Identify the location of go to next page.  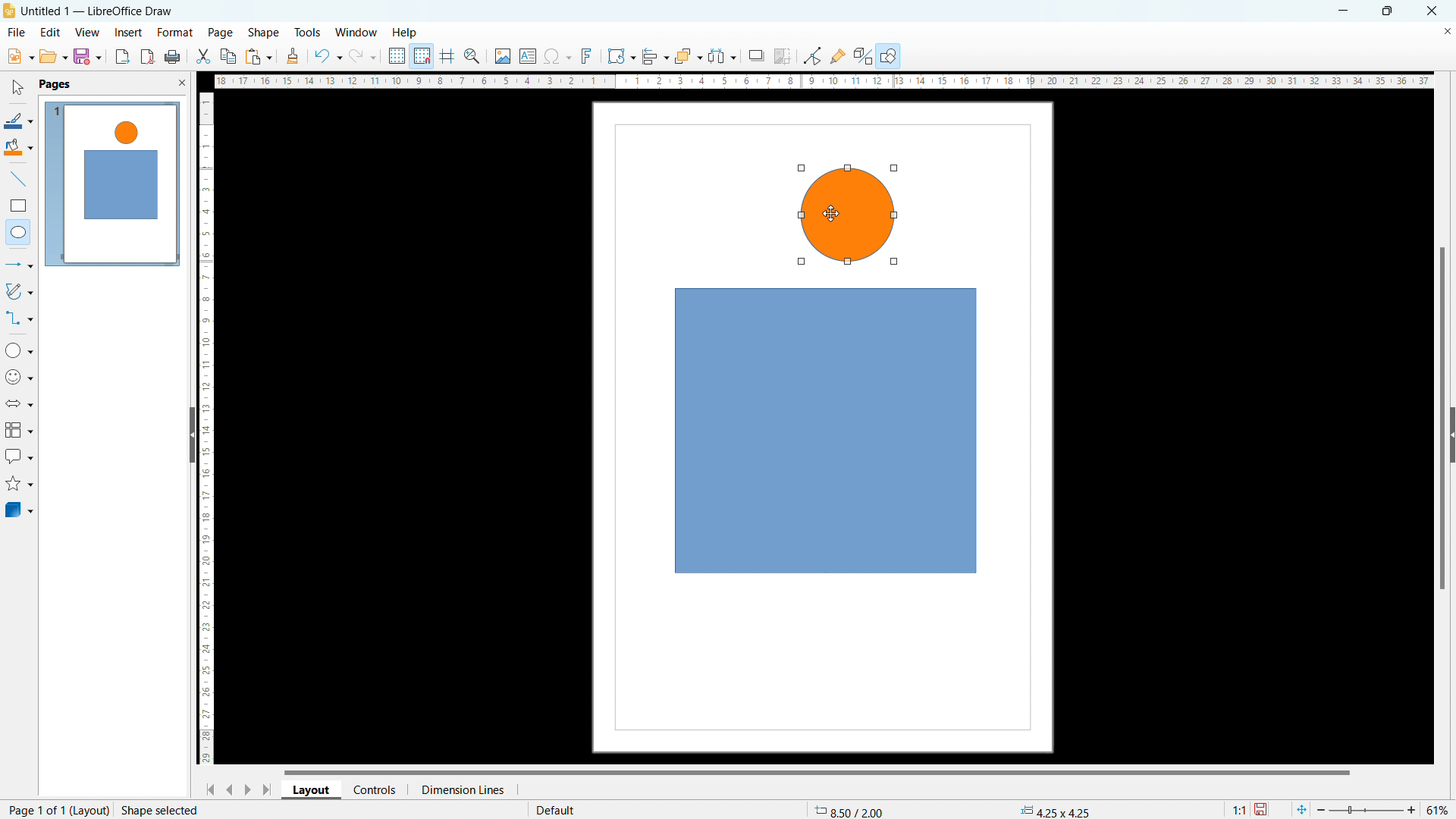
(247, 789).